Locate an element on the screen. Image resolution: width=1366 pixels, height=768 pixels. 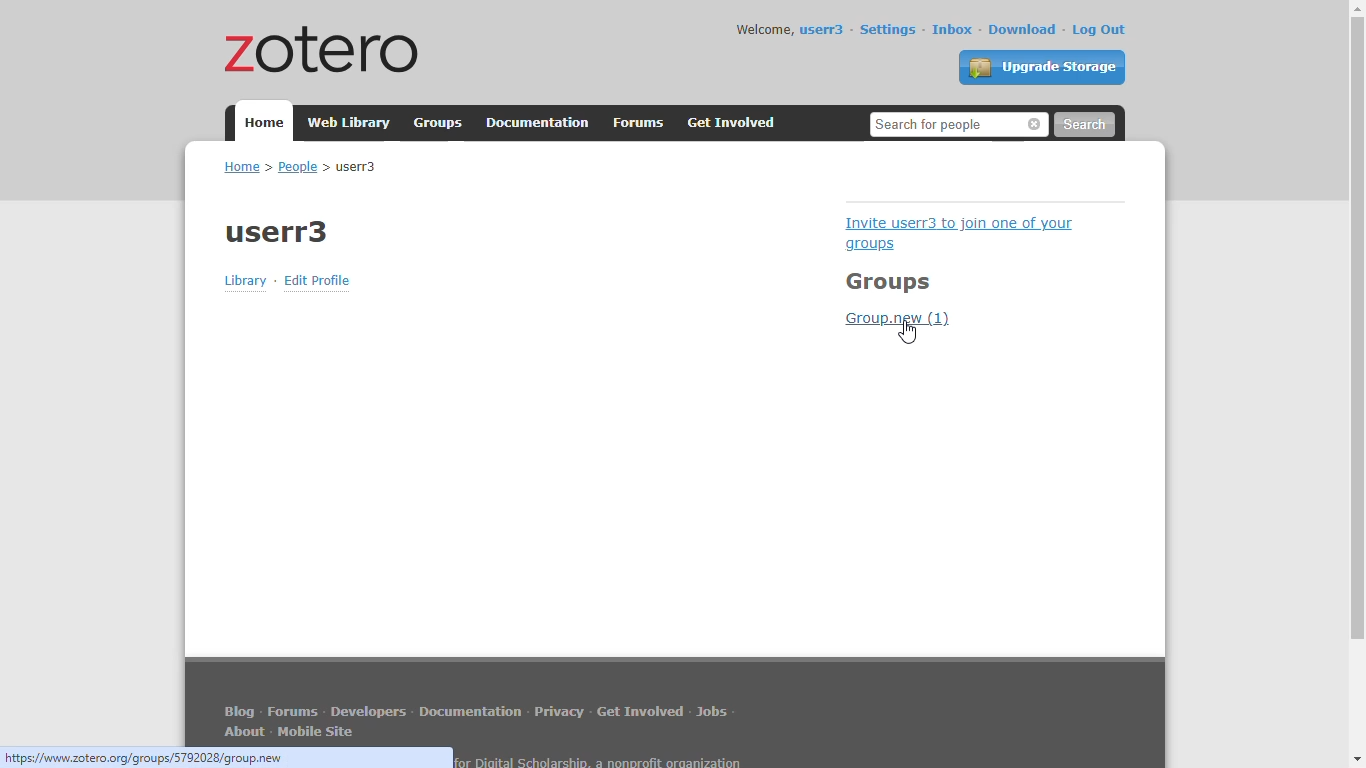
search is located at coordinates (1084, 125).